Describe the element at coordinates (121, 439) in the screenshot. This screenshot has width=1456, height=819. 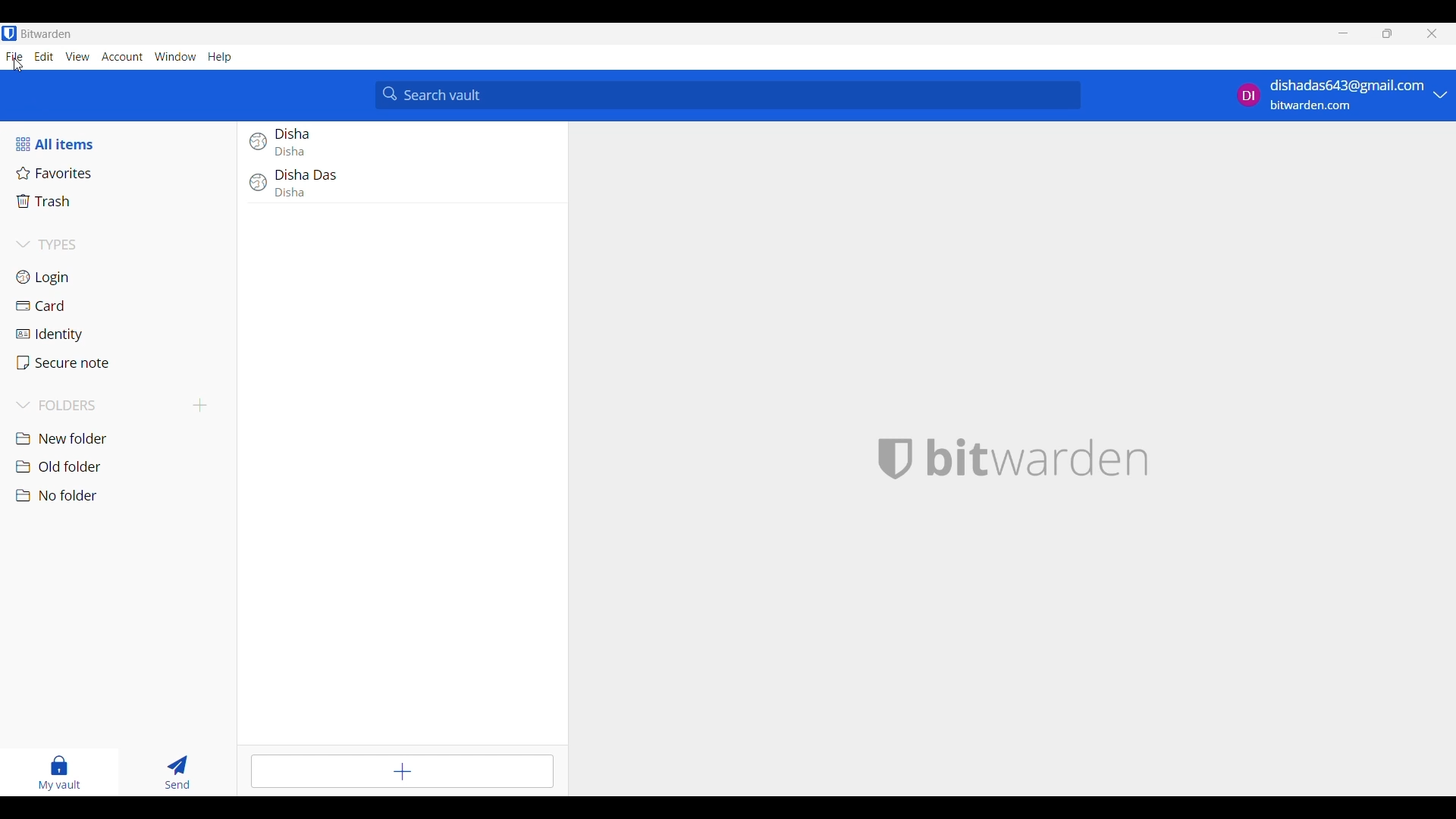
I see `New folder` at that location.